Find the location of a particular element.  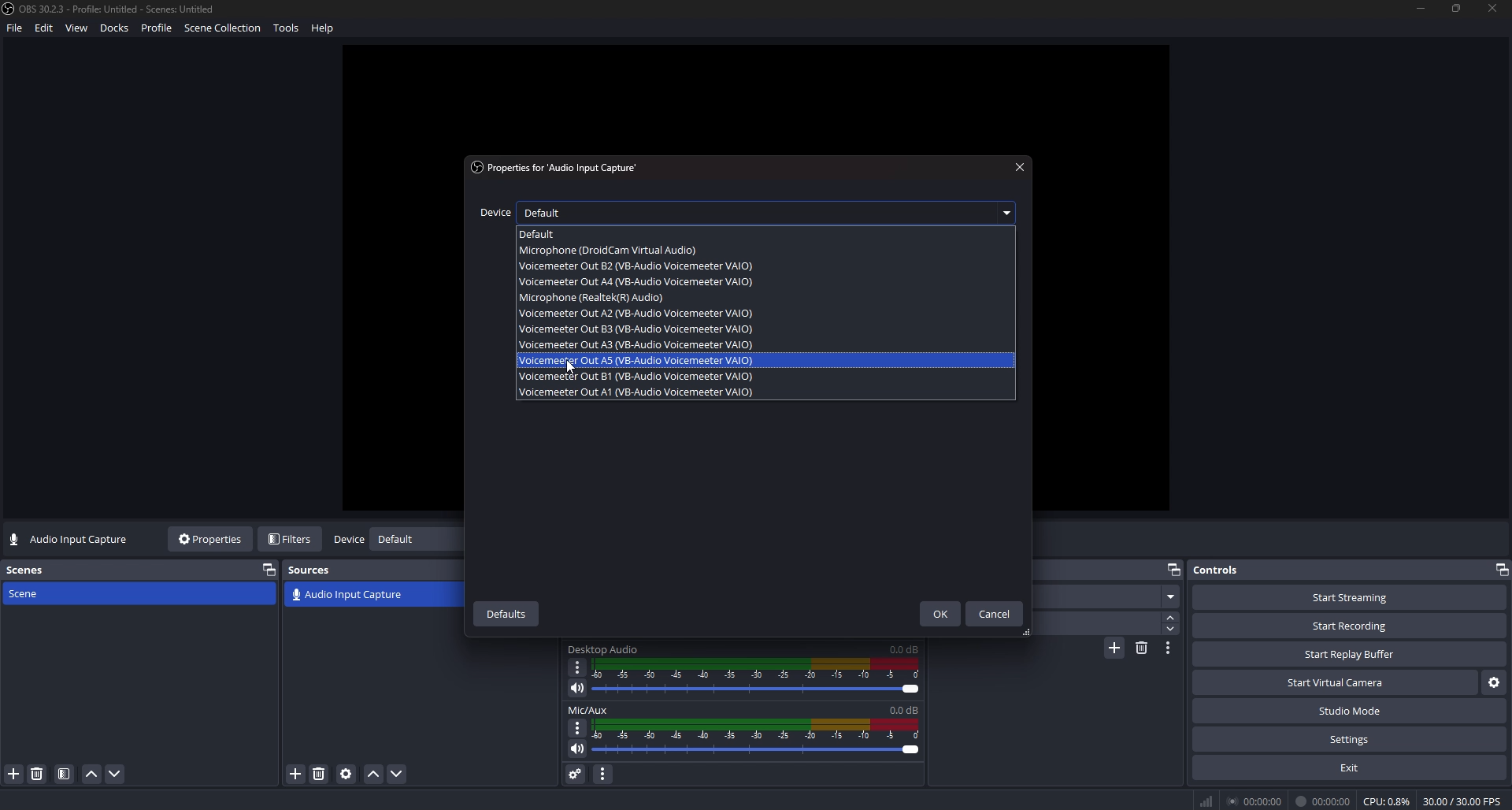

properties is located at coordinates (212, 539).